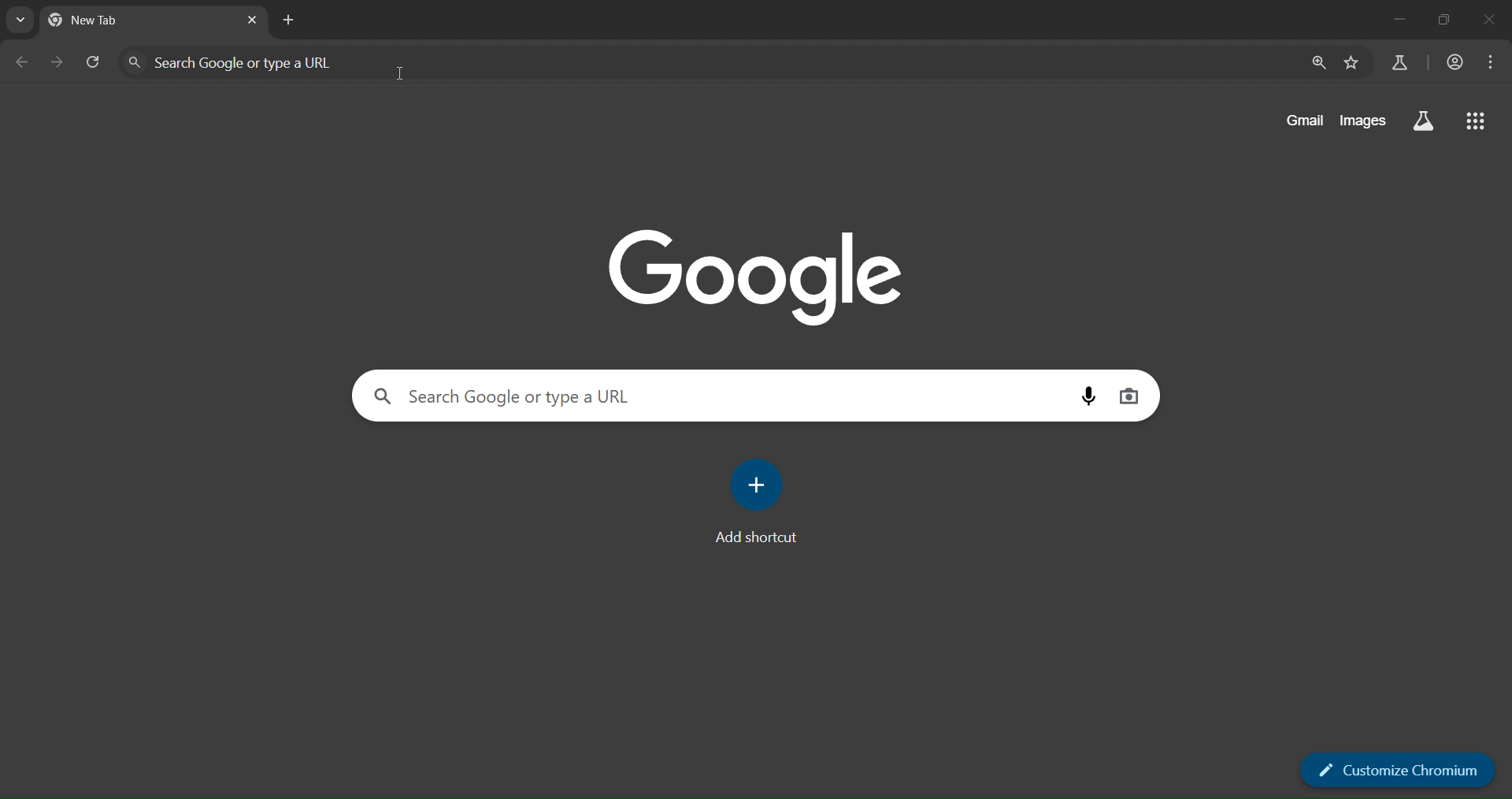 The height and width of the screenshot is (799, 1512). Describe the element at coordinates (757, 499) in the screenshot. I see `Add shortcut` at that location.